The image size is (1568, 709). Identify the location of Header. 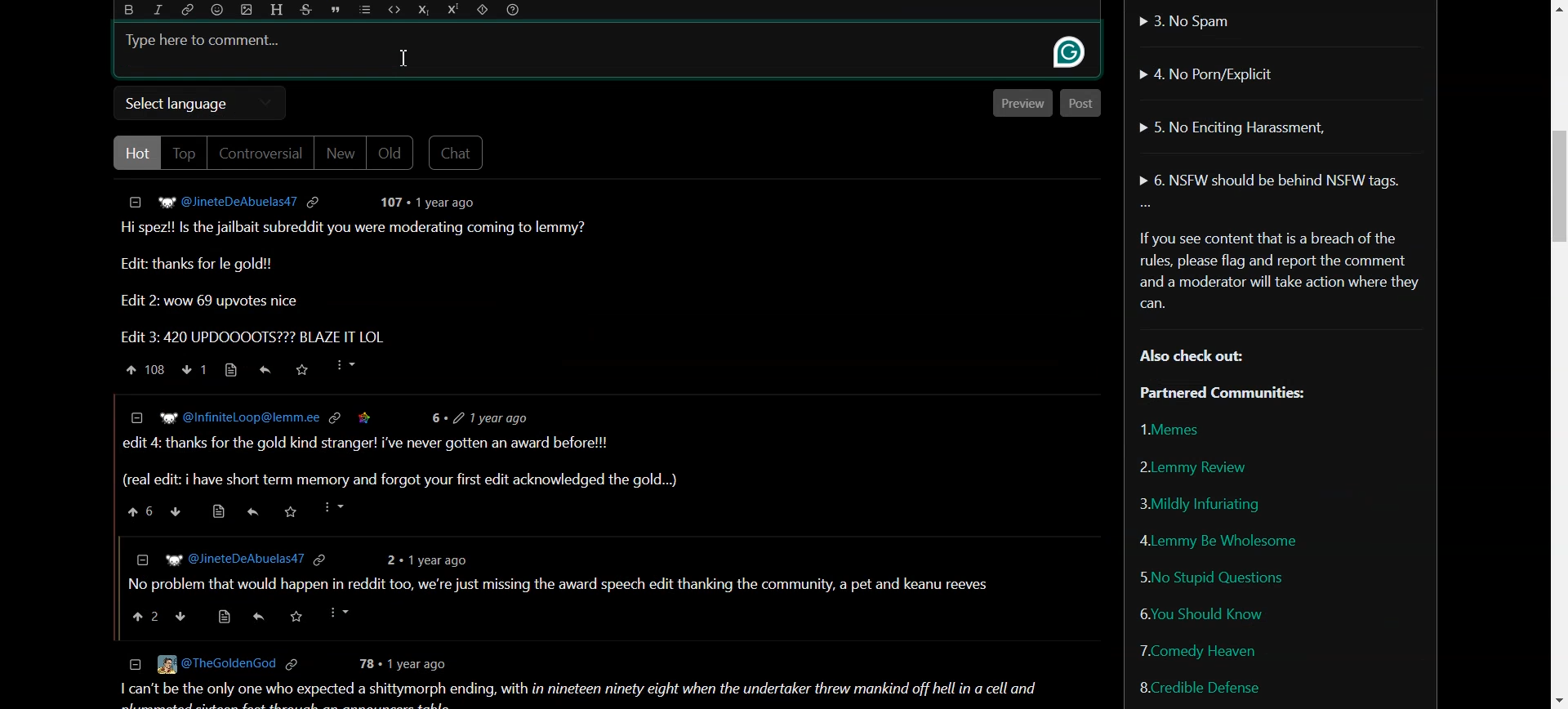
(275, 10).